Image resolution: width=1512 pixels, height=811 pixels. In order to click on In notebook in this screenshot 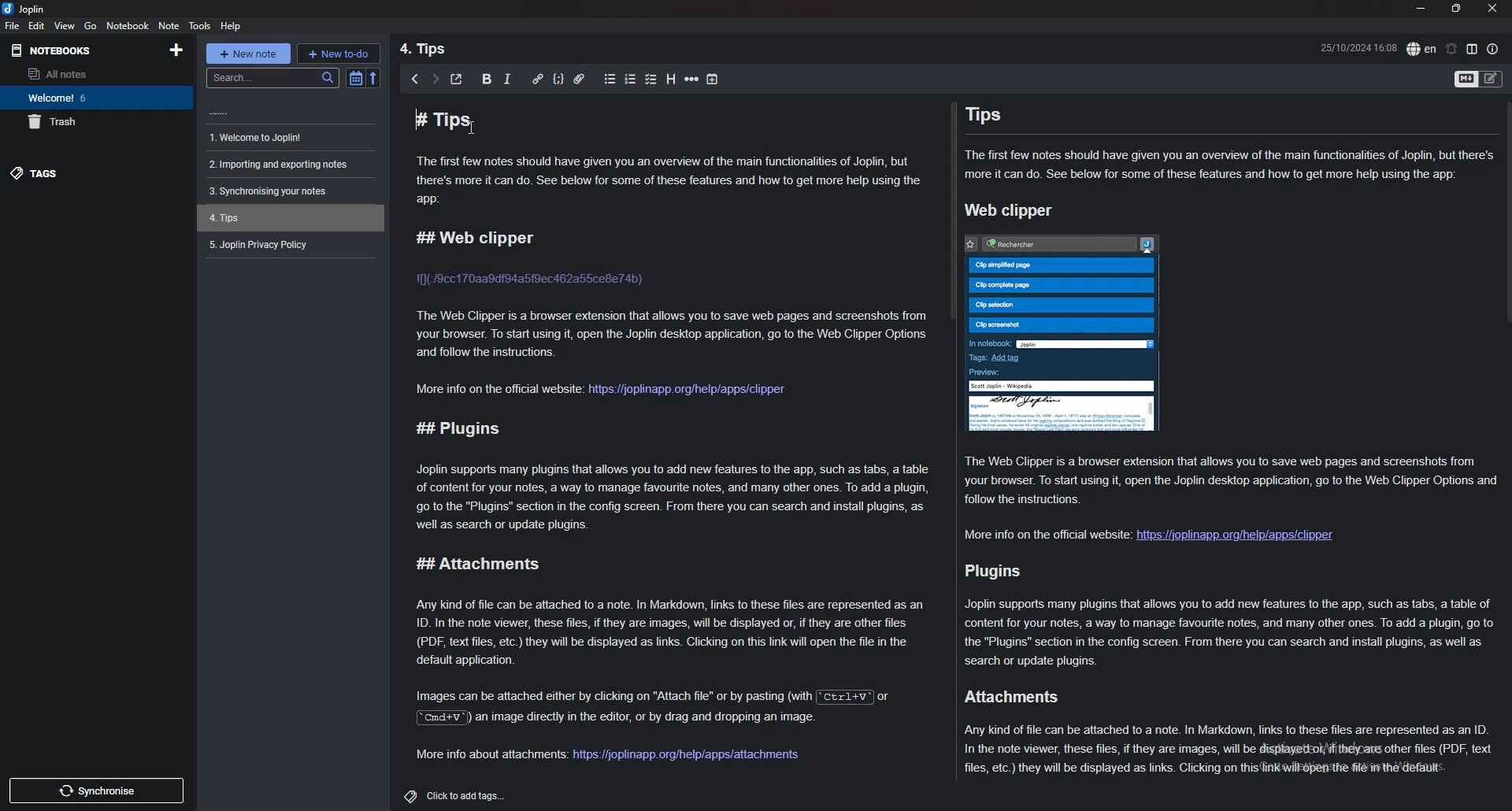, I will do `click(987, 343)`.